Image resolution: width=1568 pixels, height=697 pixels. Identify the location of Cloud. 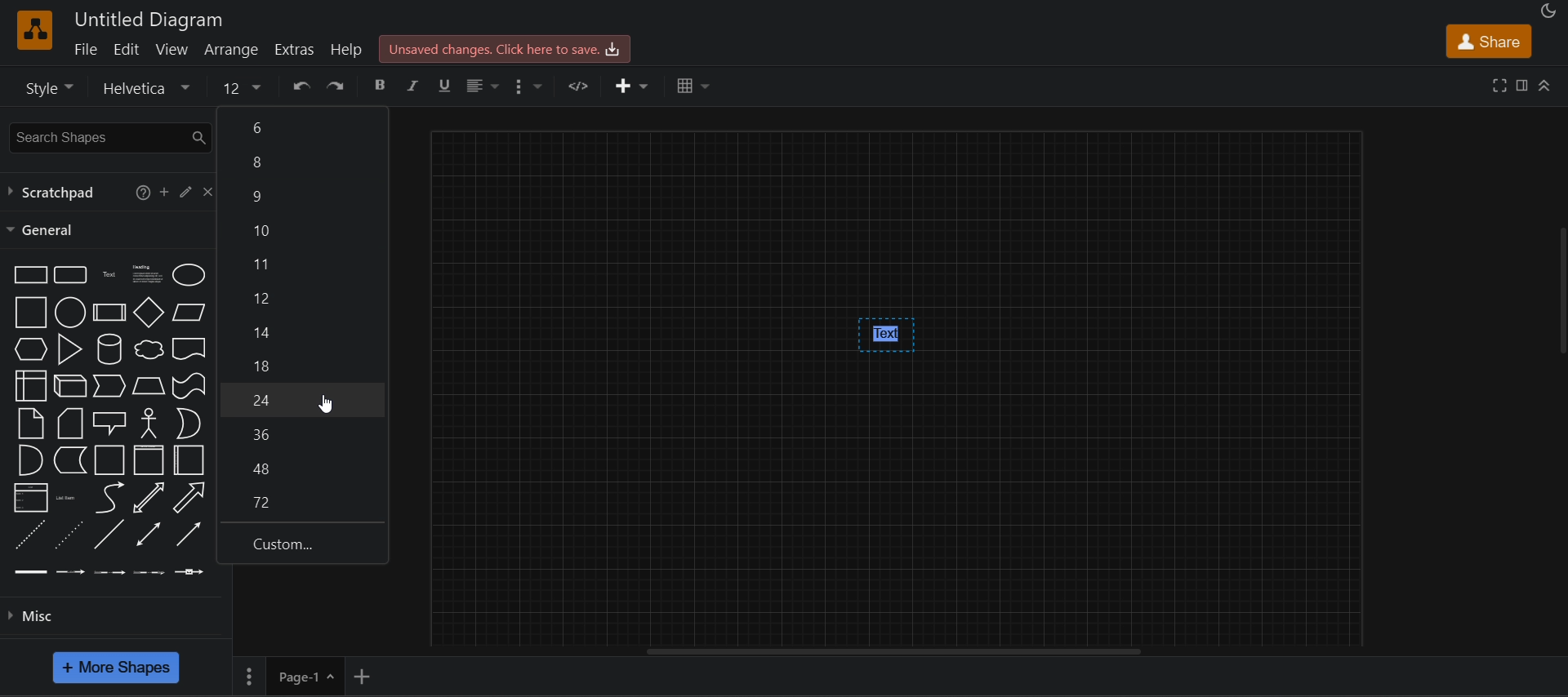
(149, 349).